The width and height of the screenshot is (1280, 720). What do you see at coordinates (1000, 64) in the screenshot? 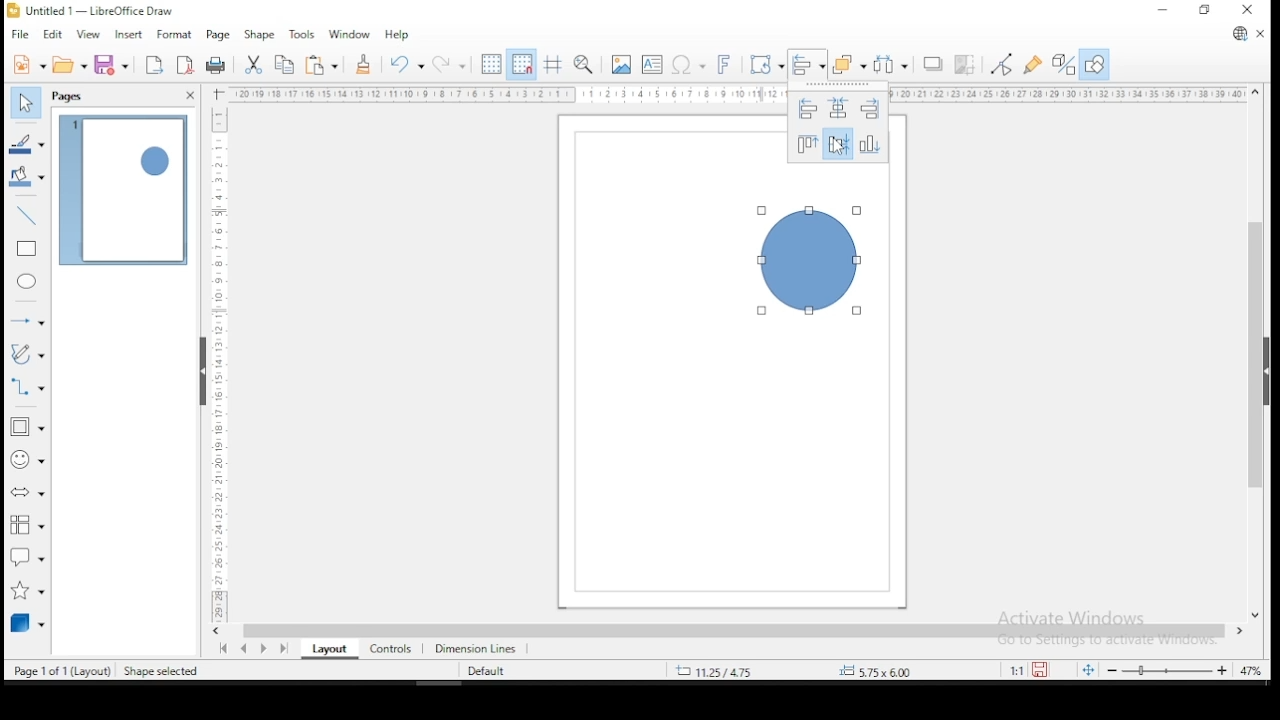
I see `toggle point edit mode` at bounding box center [1000, 64].